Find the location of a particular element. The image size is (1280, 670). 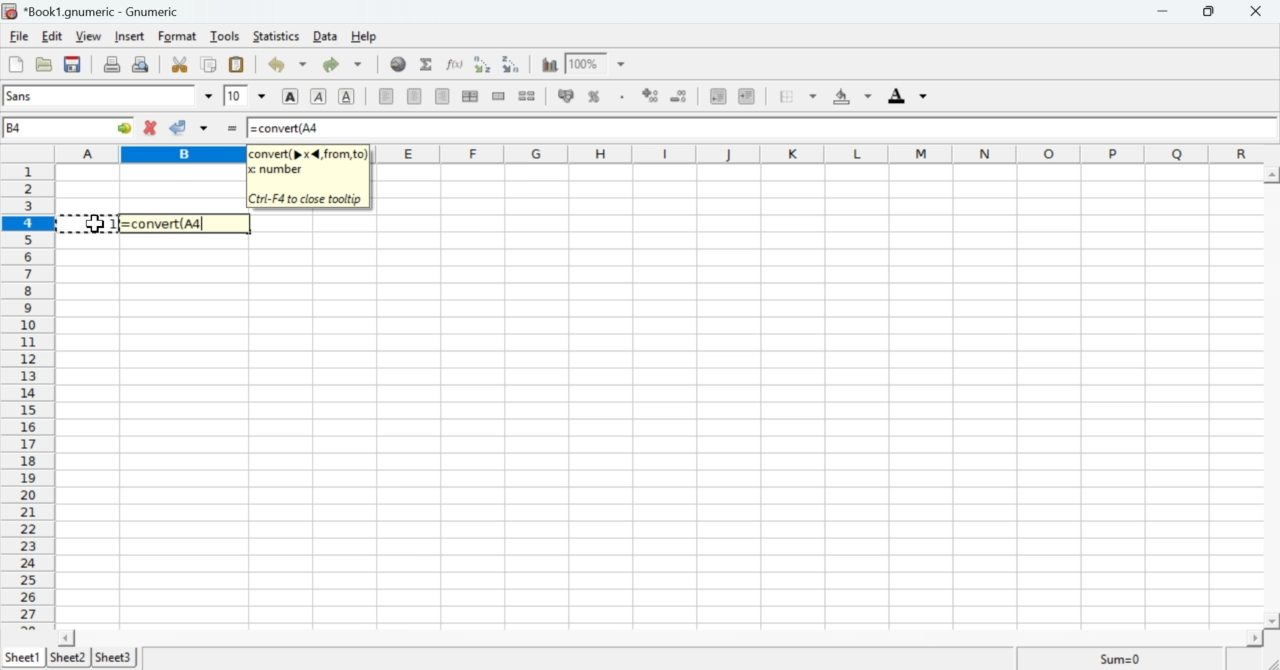

Sheet 1 is located at coordinates (25, 657).